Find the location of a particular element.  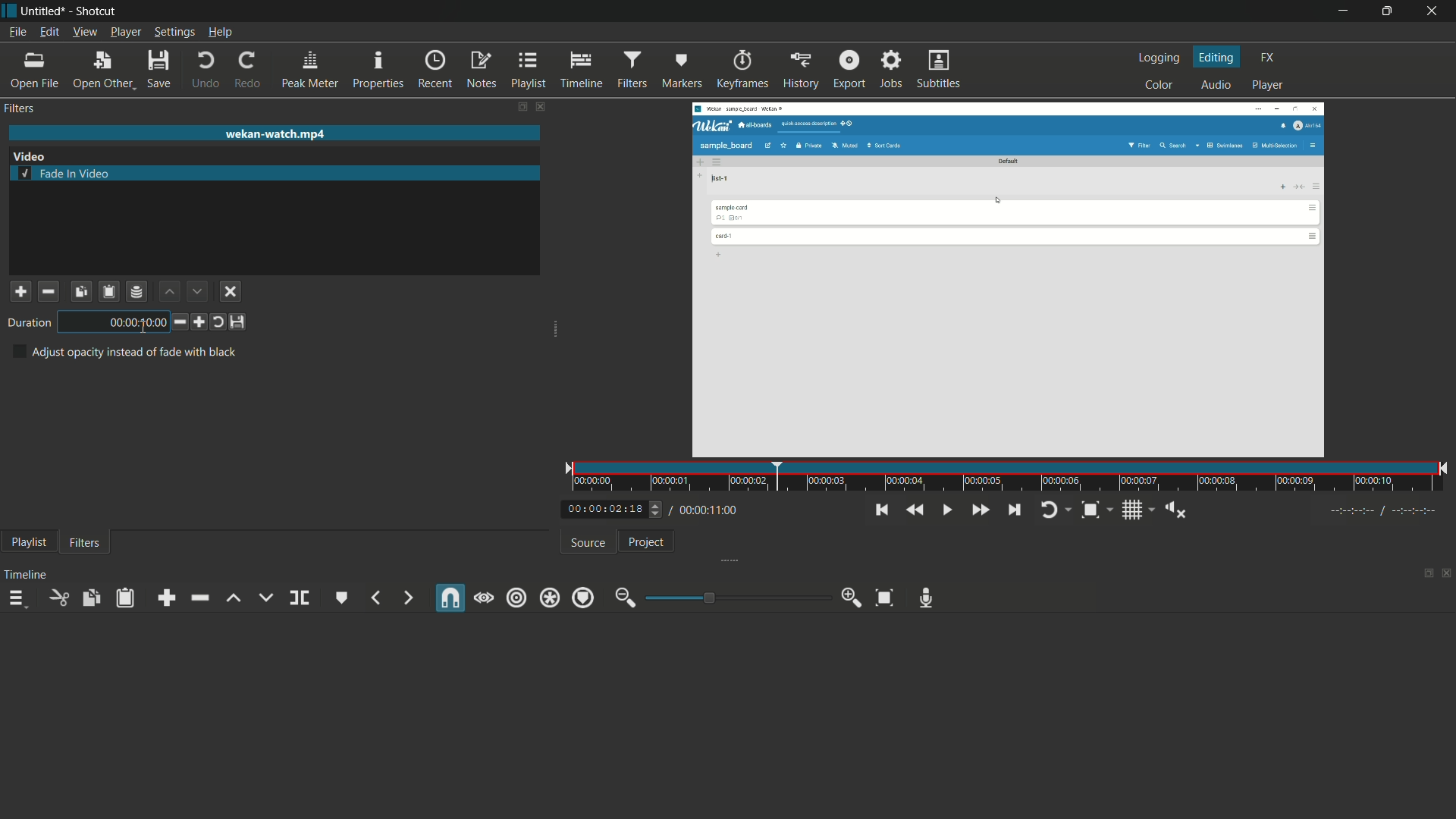

/ is located at coordinates (669, 507).